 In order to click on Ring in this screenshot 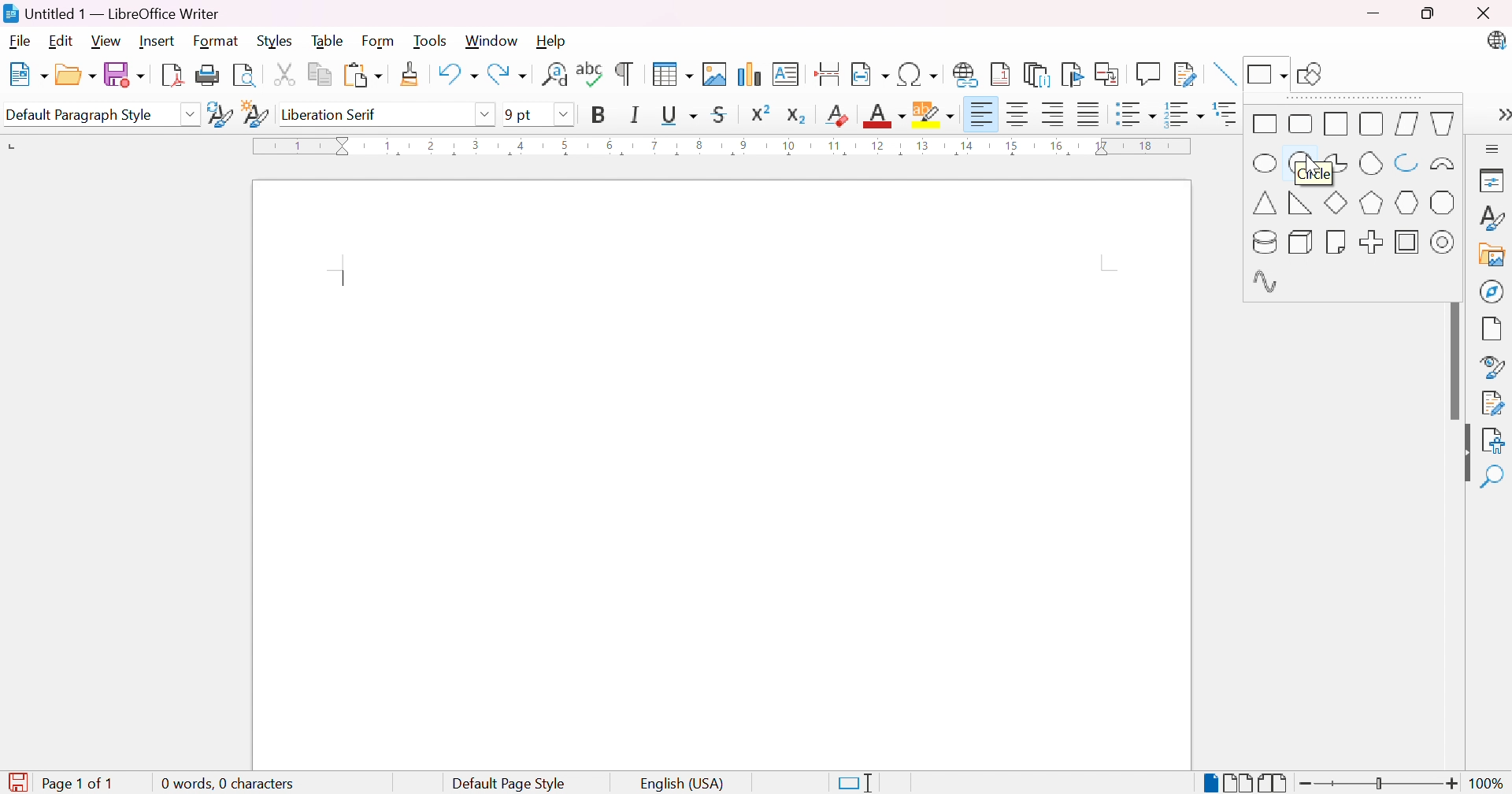, I will do `click(1443, 241)`.